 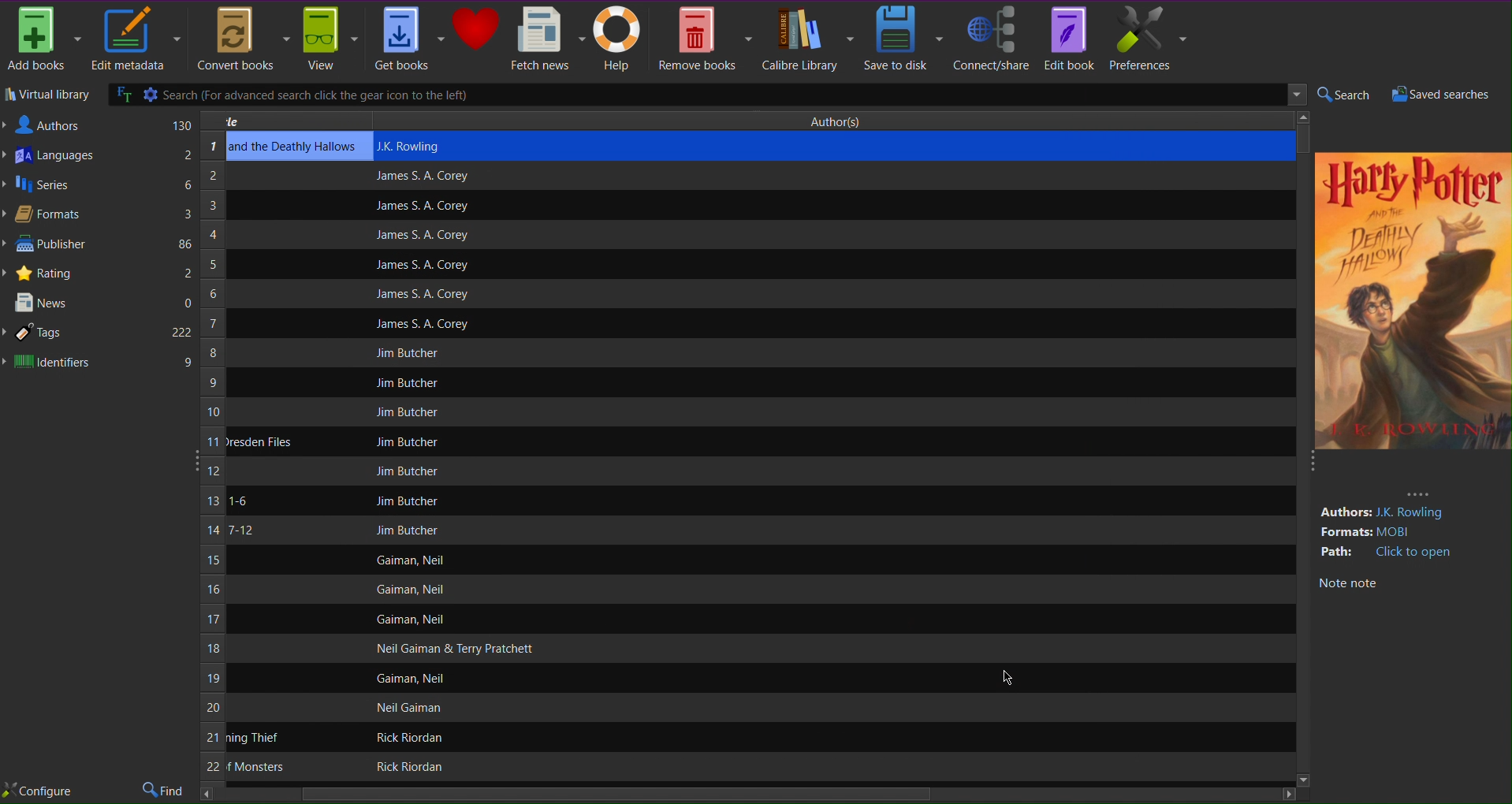 What do you see at coordinates (706, 37) in the screenshot?
I see `Remove books` at bounding box center [706, 37].